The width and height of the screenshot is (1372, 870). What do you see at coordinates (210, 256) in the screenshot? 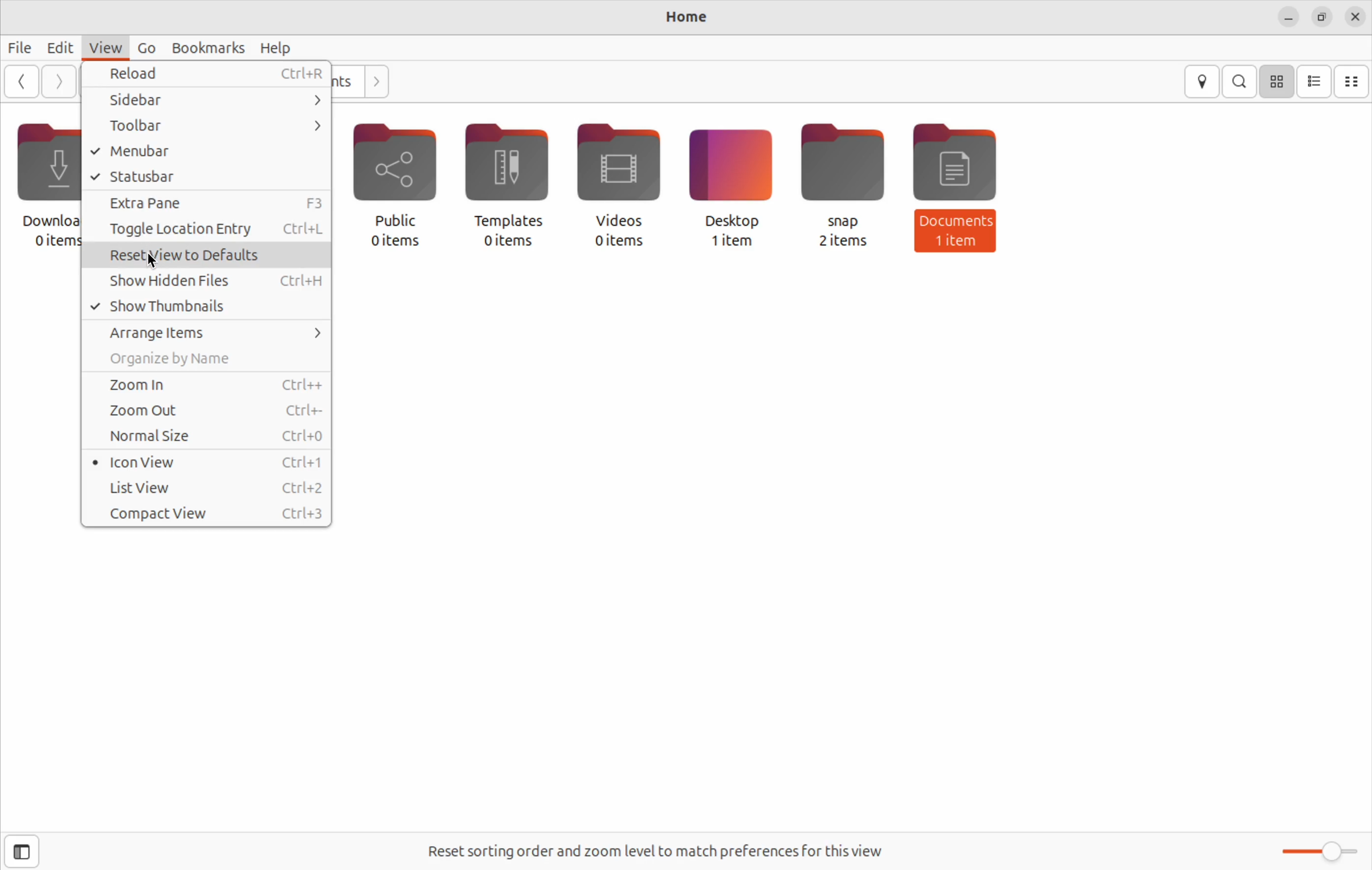
I see `Reset view to Defaults` at bounding box center [210, 256].